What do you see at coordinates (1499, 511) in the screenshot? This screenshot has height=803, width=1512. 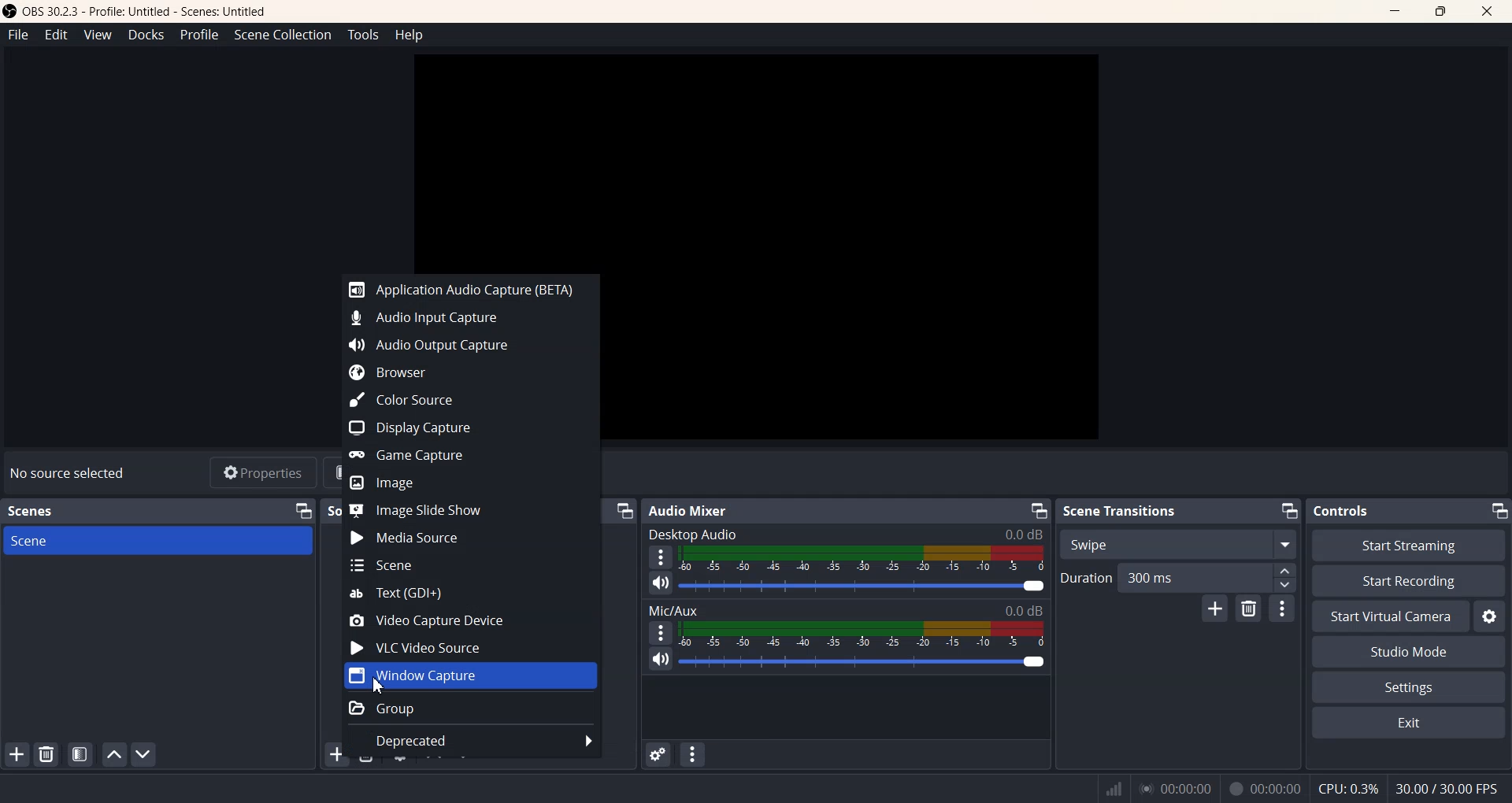 I see `Minimize` at bounding box center [1499, 511].